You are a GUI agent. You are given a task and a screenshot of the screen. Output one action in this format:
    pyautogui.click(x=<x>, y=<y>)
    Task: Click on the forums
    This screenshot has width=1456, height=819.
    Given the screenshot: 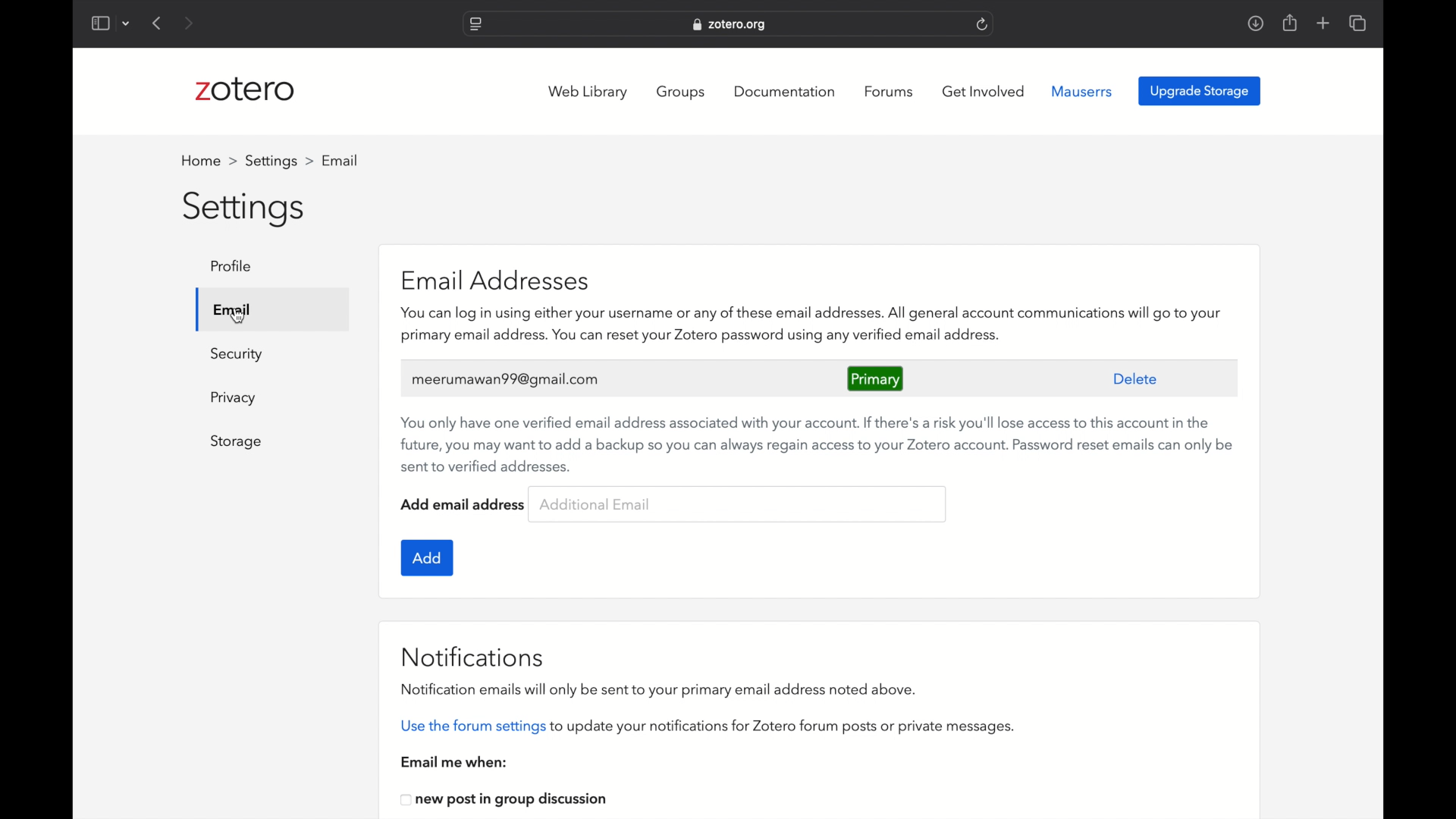 What is the action you would take?
    pyautogui.click(x=890, y=92)
    